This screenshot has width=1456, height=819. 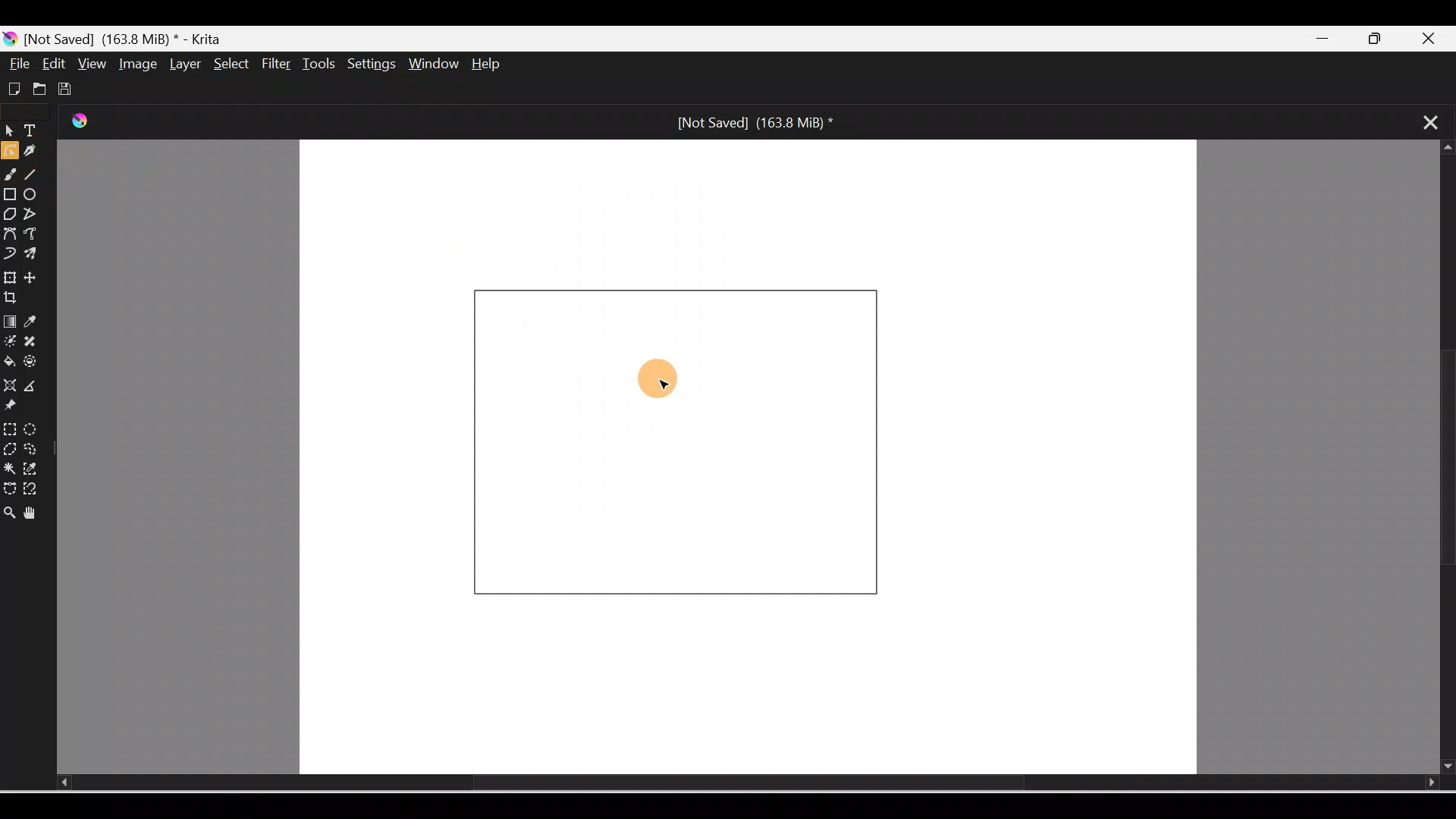 What do you see at coordinates (9, 385) in the screenshot?
I see `Assistant tool` at bounding box center [9, 385].